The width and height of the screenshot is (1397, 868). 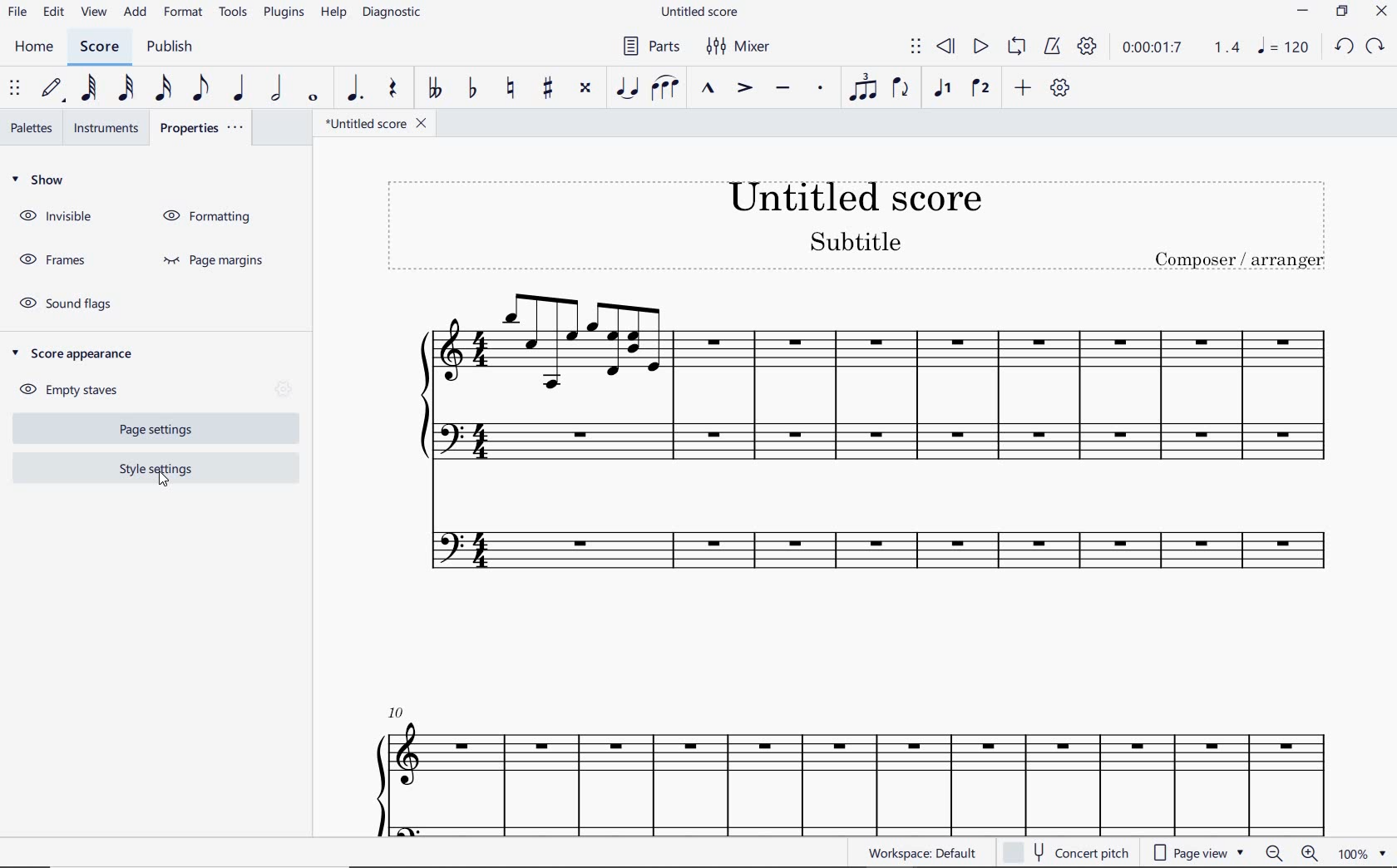 What do you see at coordinates (848, 560) in the screenshot?
I see `INSTRUMENT: FLUTE` at bounding box center [848, 560].